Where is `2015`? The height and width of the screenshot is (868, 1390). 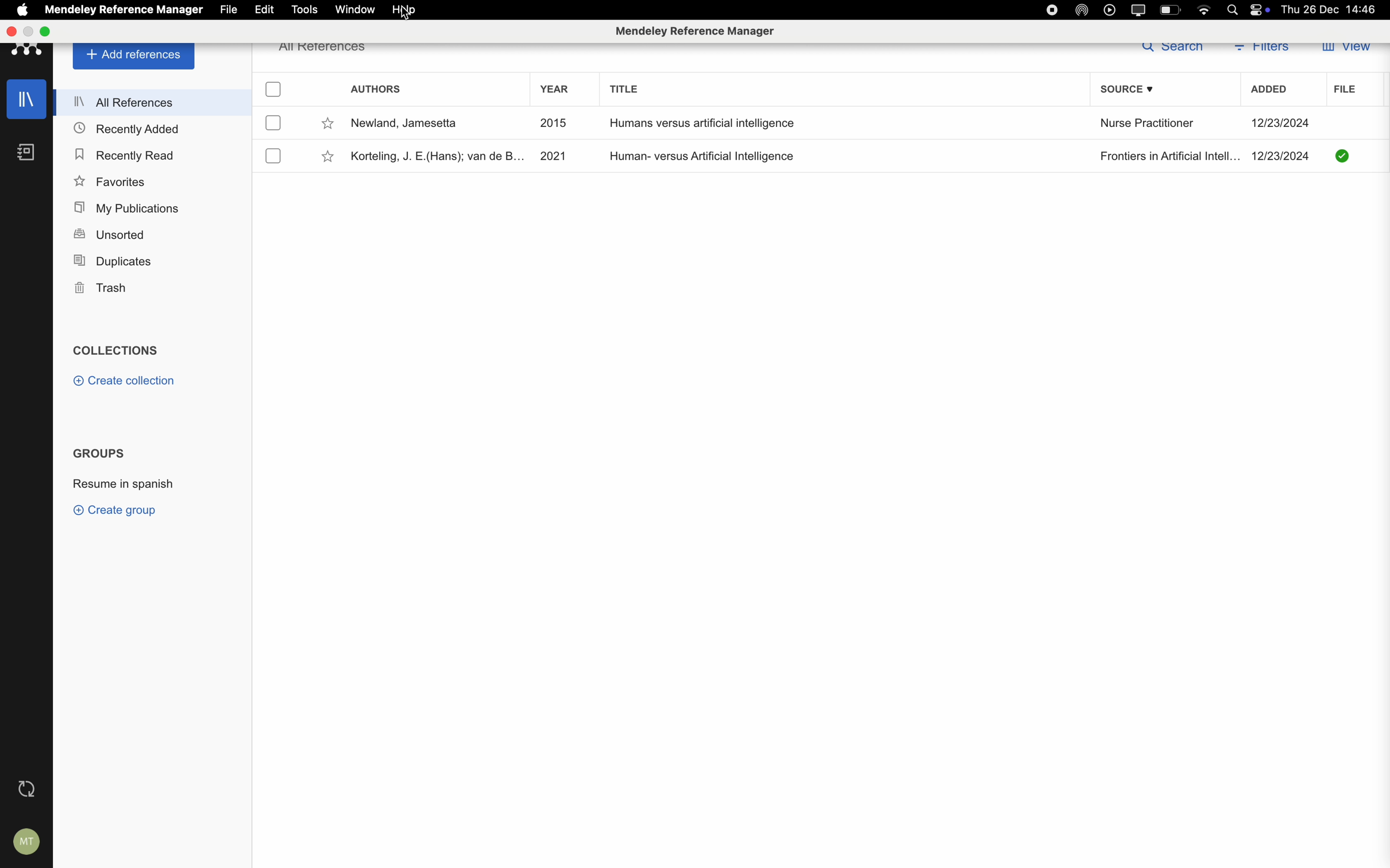 2015 is located at coordinates (557, 123).